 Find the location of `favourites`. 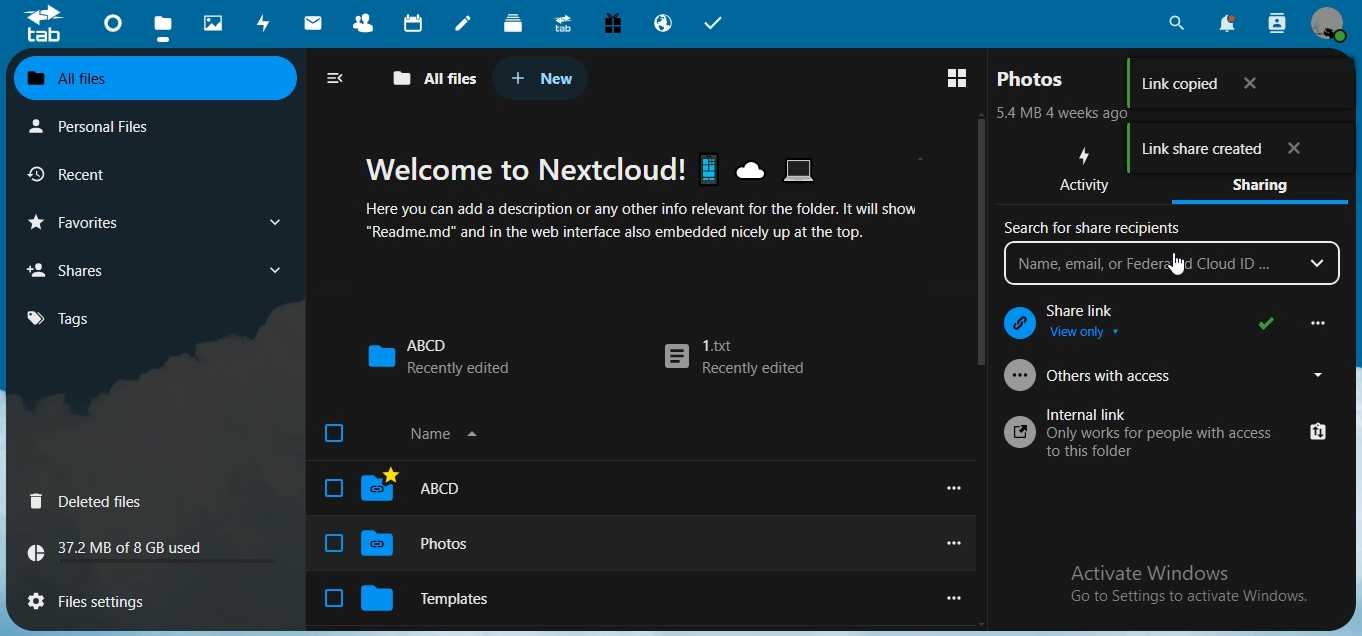

favourites is located at coordinates (152, 222).